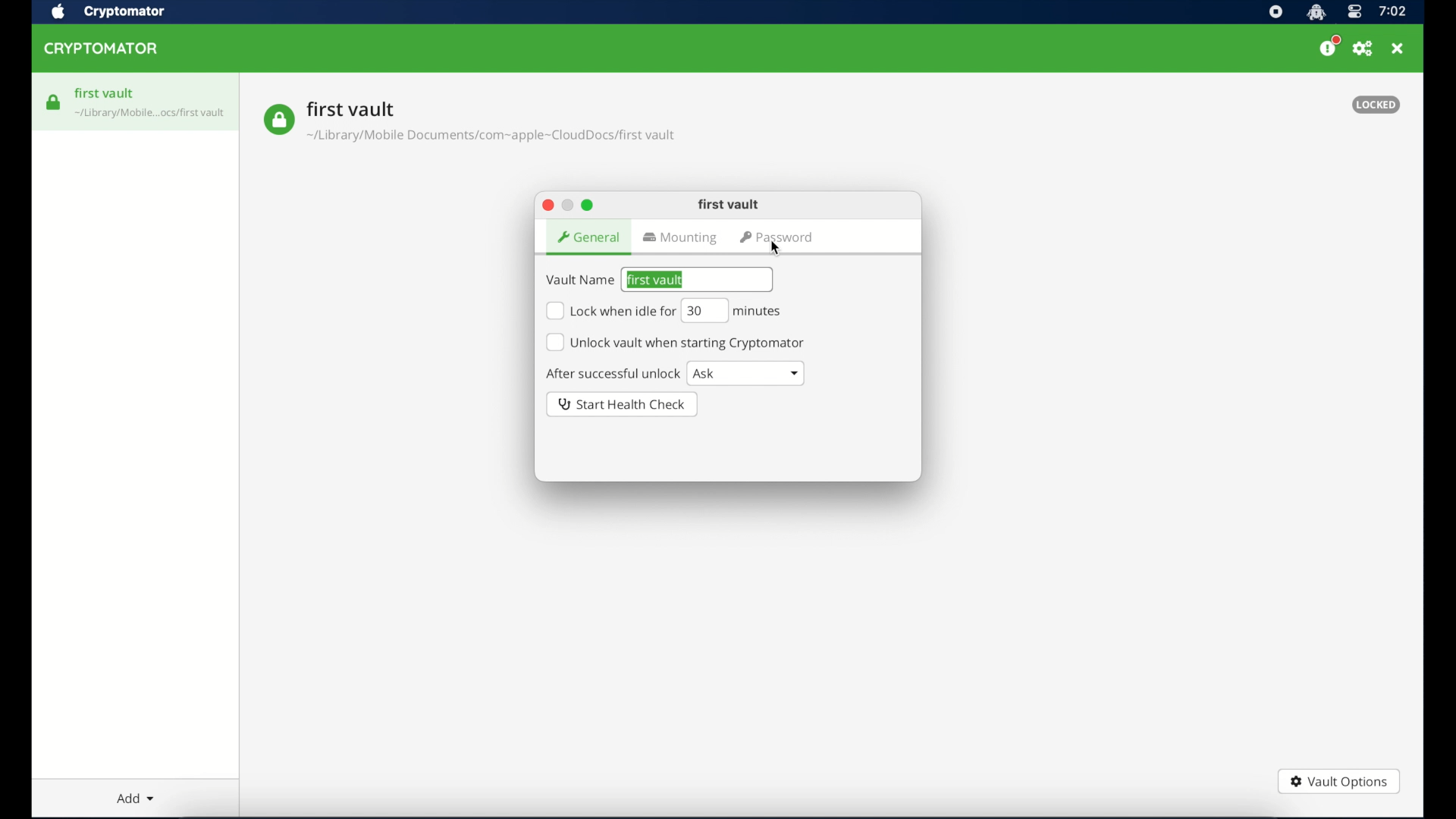  I want to click on general tab highlighted, so click(588, 237).